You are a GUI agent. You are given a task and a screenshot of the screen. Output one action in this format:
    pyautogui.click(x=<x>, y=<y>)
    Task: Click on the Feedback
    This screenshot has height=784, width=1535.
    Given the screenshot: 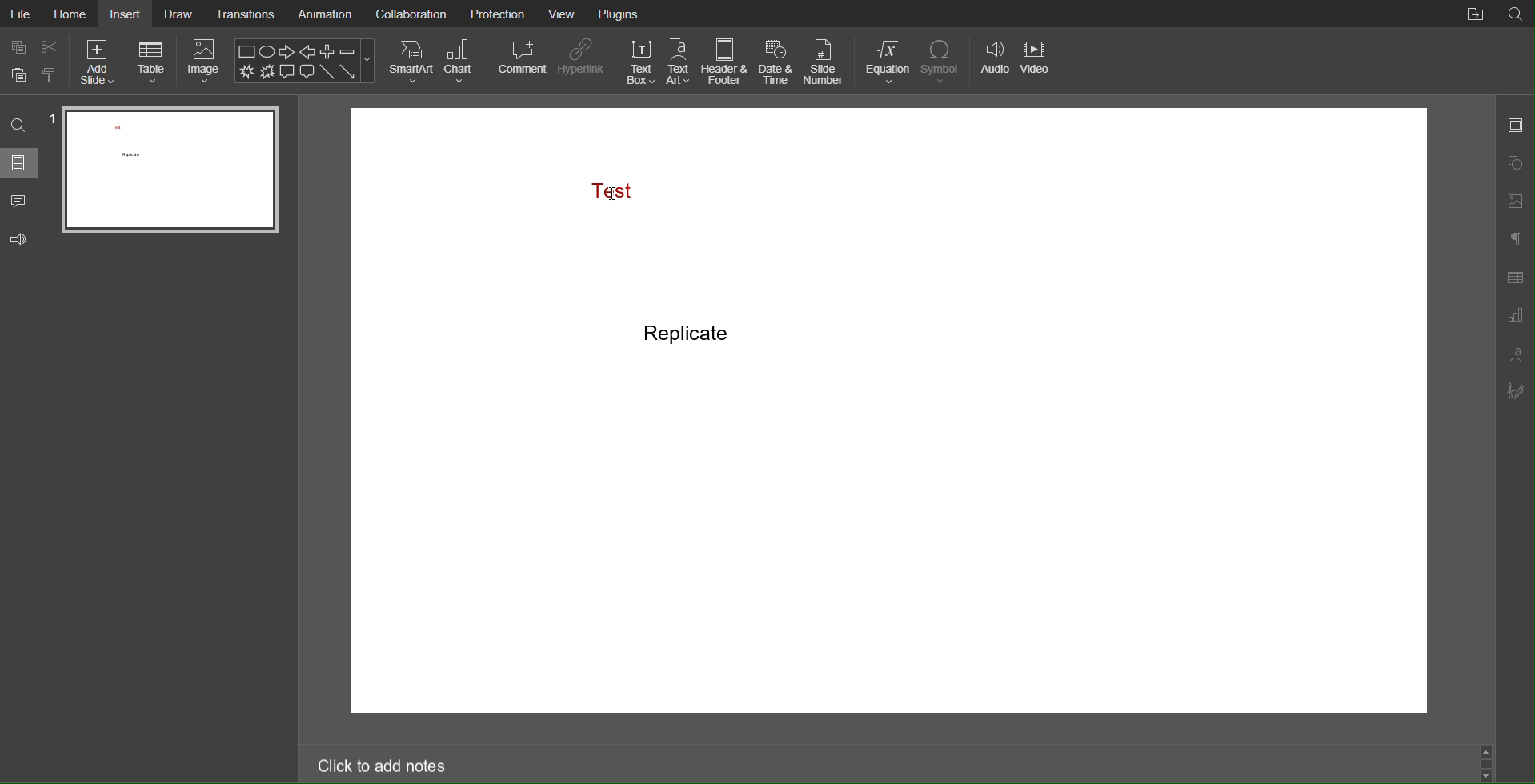 What is the action you would take?
    pyautogui.click(x=21, y=241)
    